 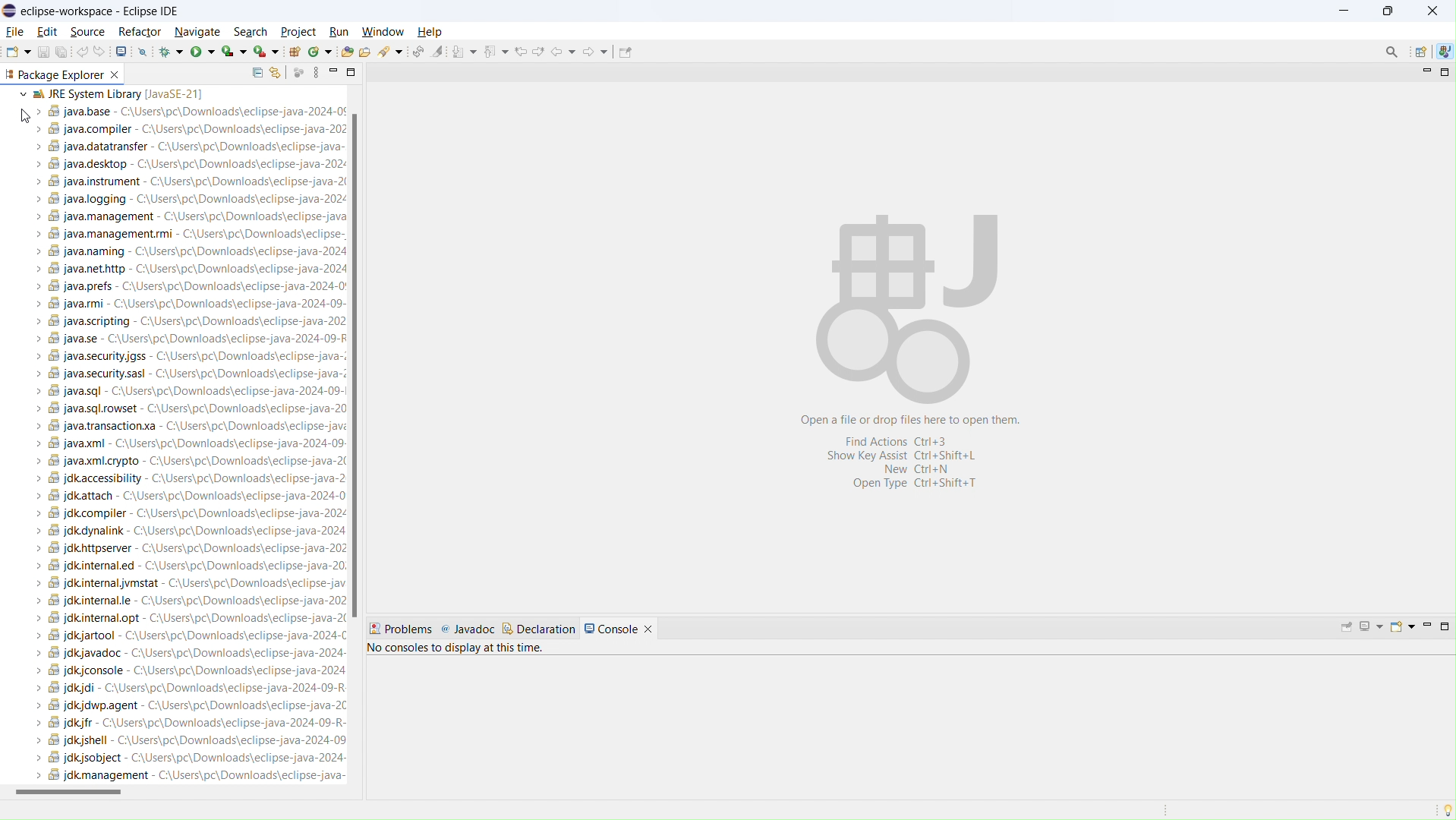 What do you see at coordinates (118, 74) in the screenshot?
I see `close` at bounding box center [118, 74].